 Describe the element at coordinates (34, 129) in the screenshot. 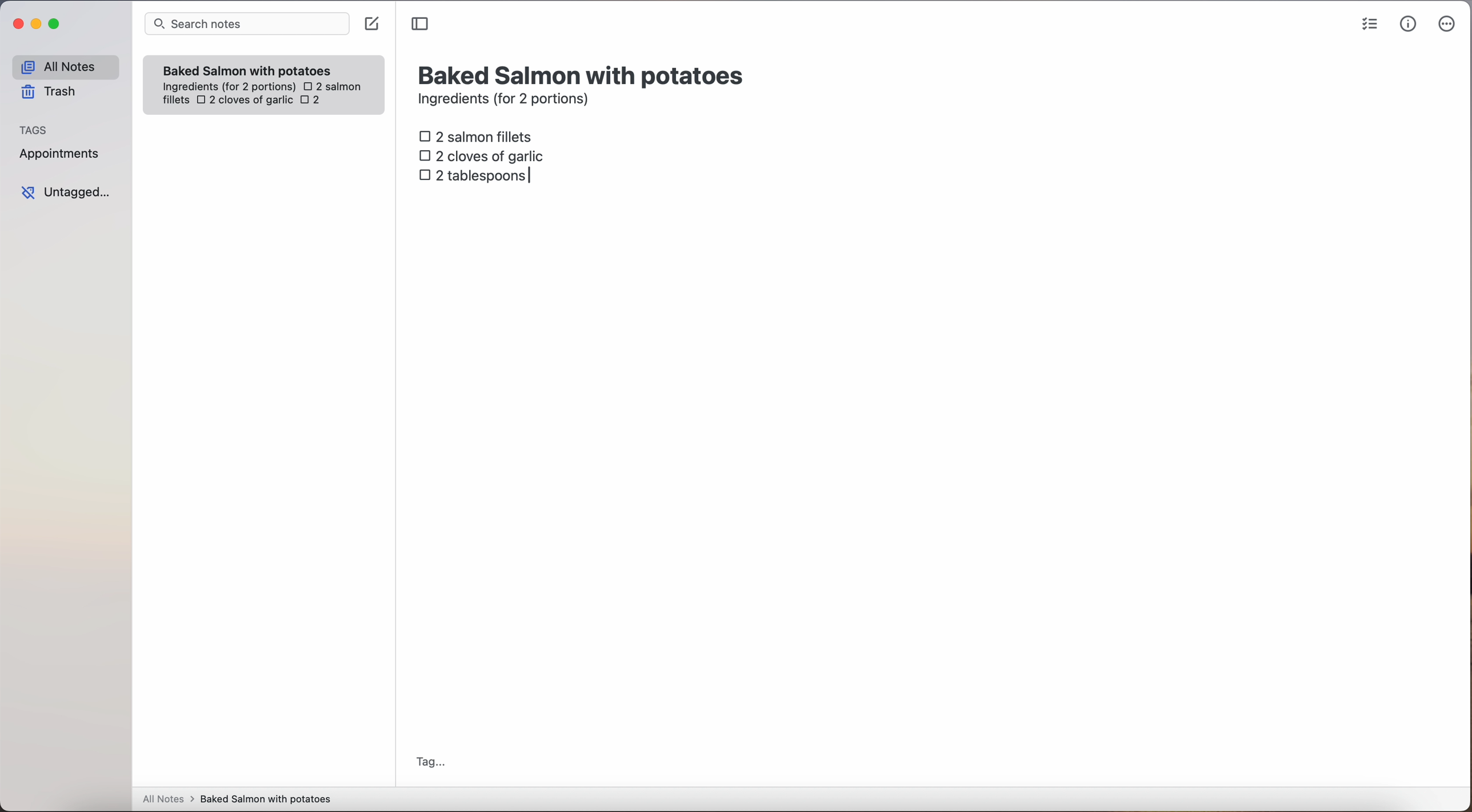

I see `tags` at that location.